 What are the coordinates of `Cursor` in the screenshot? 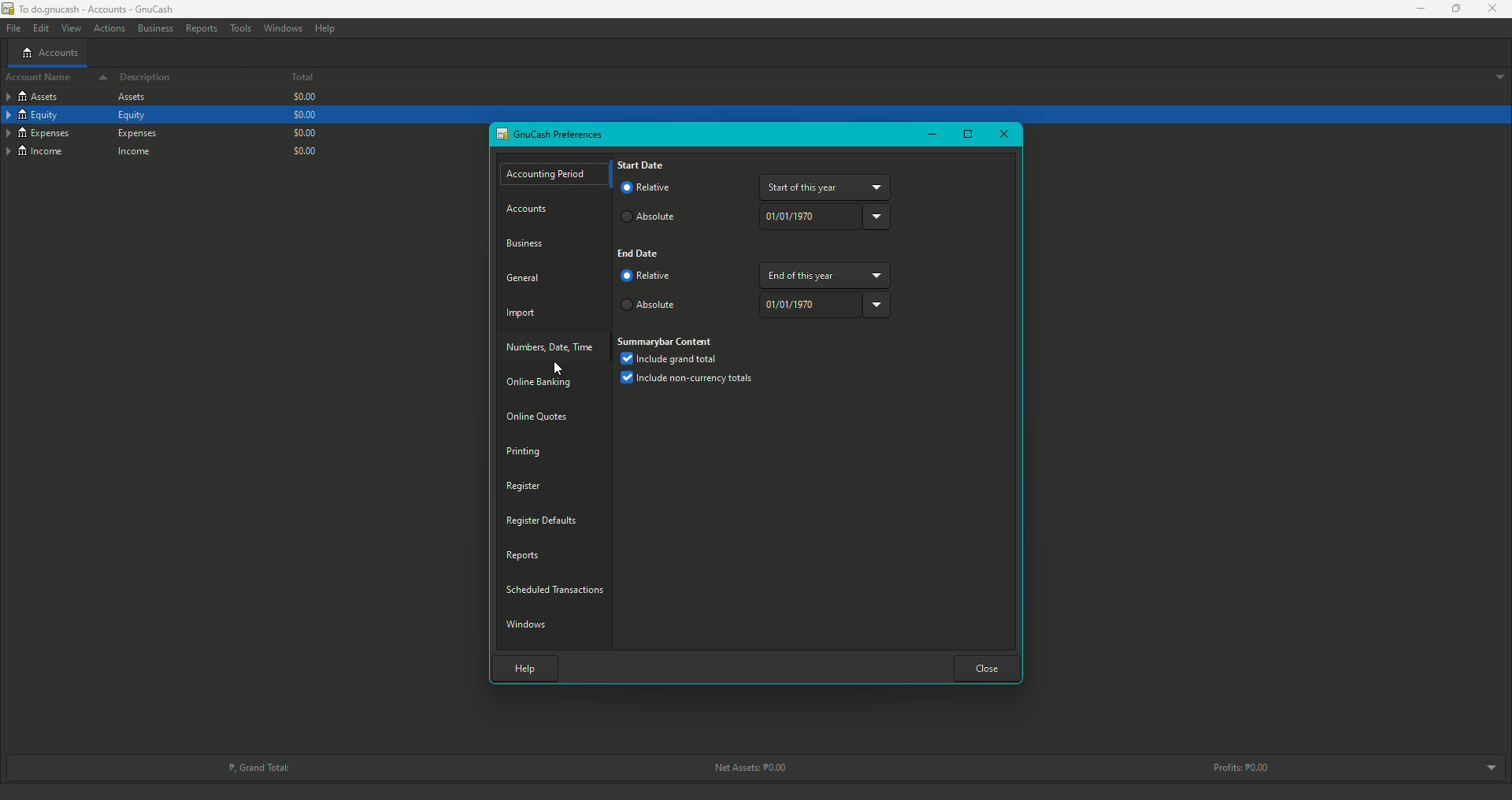 It's located at (557, 369).